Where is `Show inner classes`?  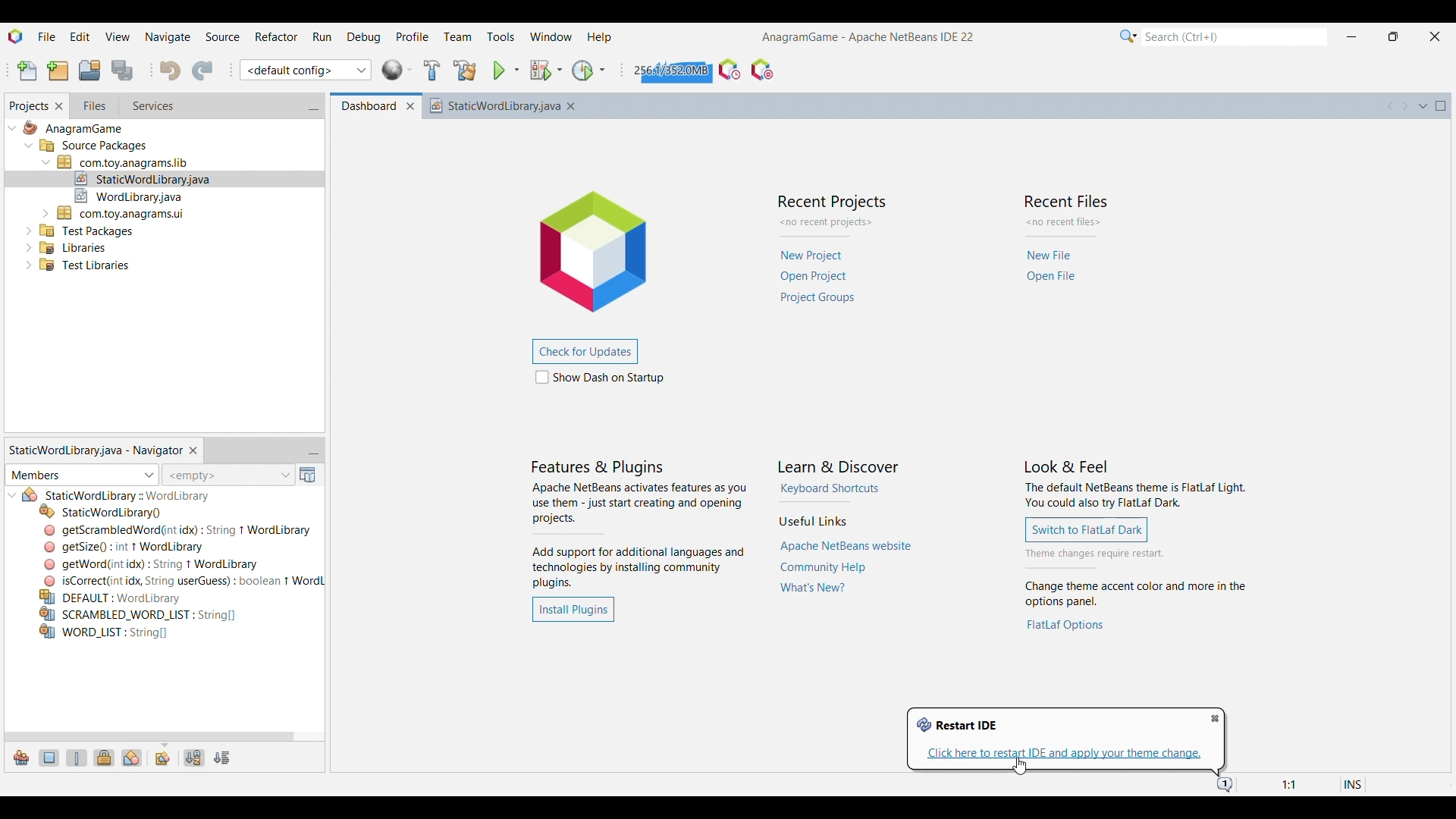 Show inner classes is located at coordinates (132, 758).